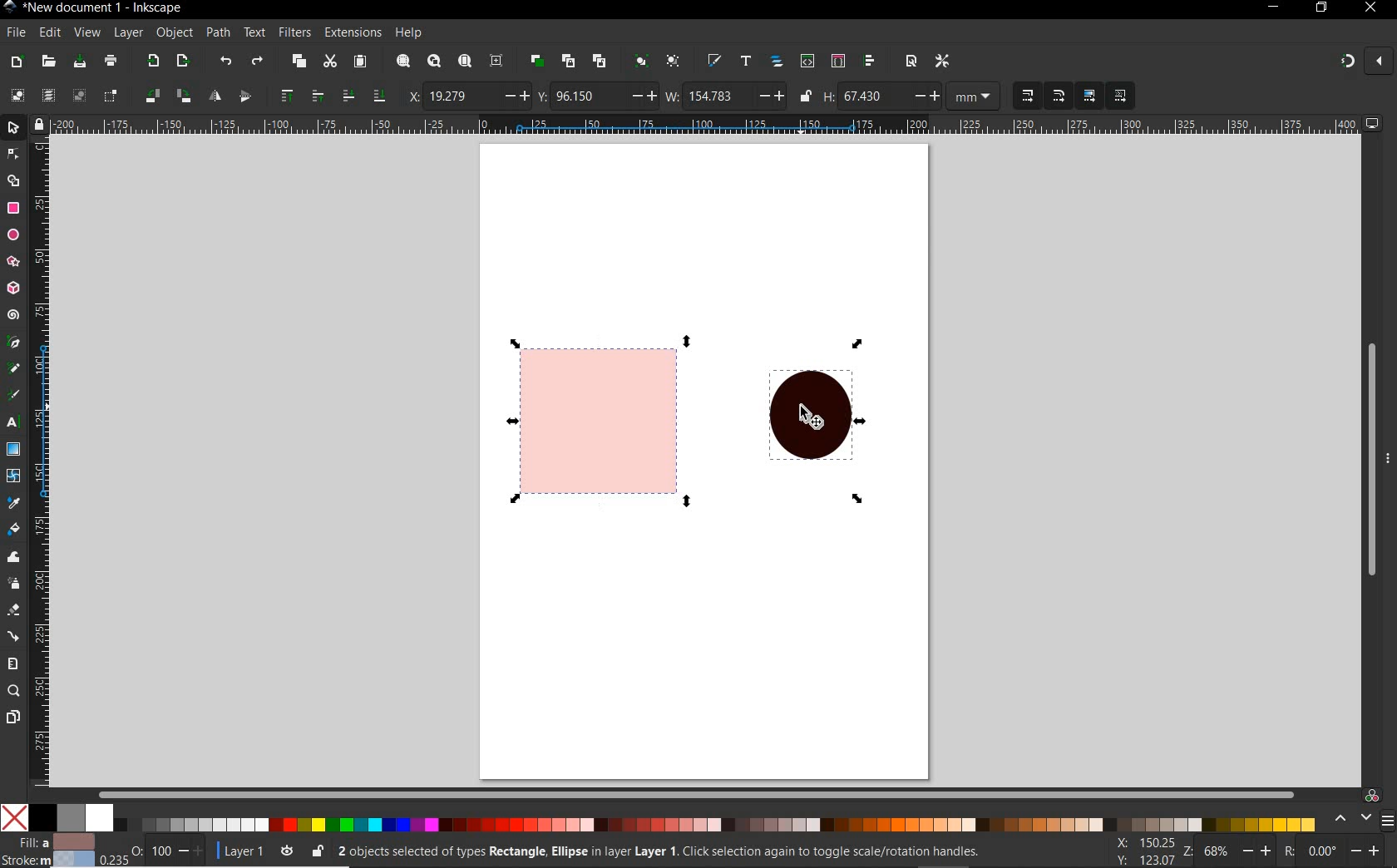  Describe the element at coordinates (12, 611) in the screenshot. I see `eraser tool` at that location.